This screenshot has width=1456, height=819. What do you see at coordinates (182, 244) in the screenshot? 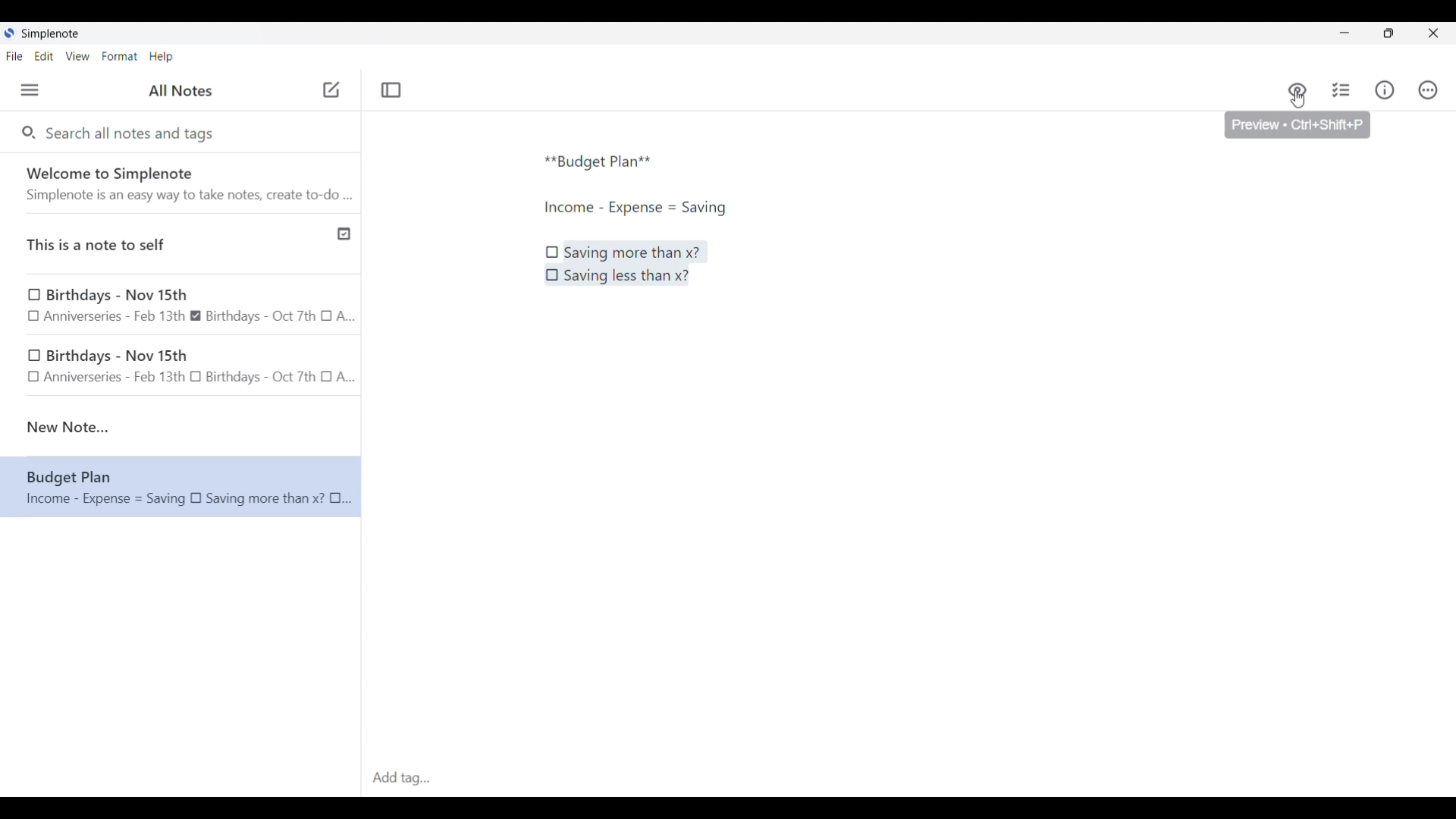
I see `Published note indicated by check icon` at bounding box center [182, 244].